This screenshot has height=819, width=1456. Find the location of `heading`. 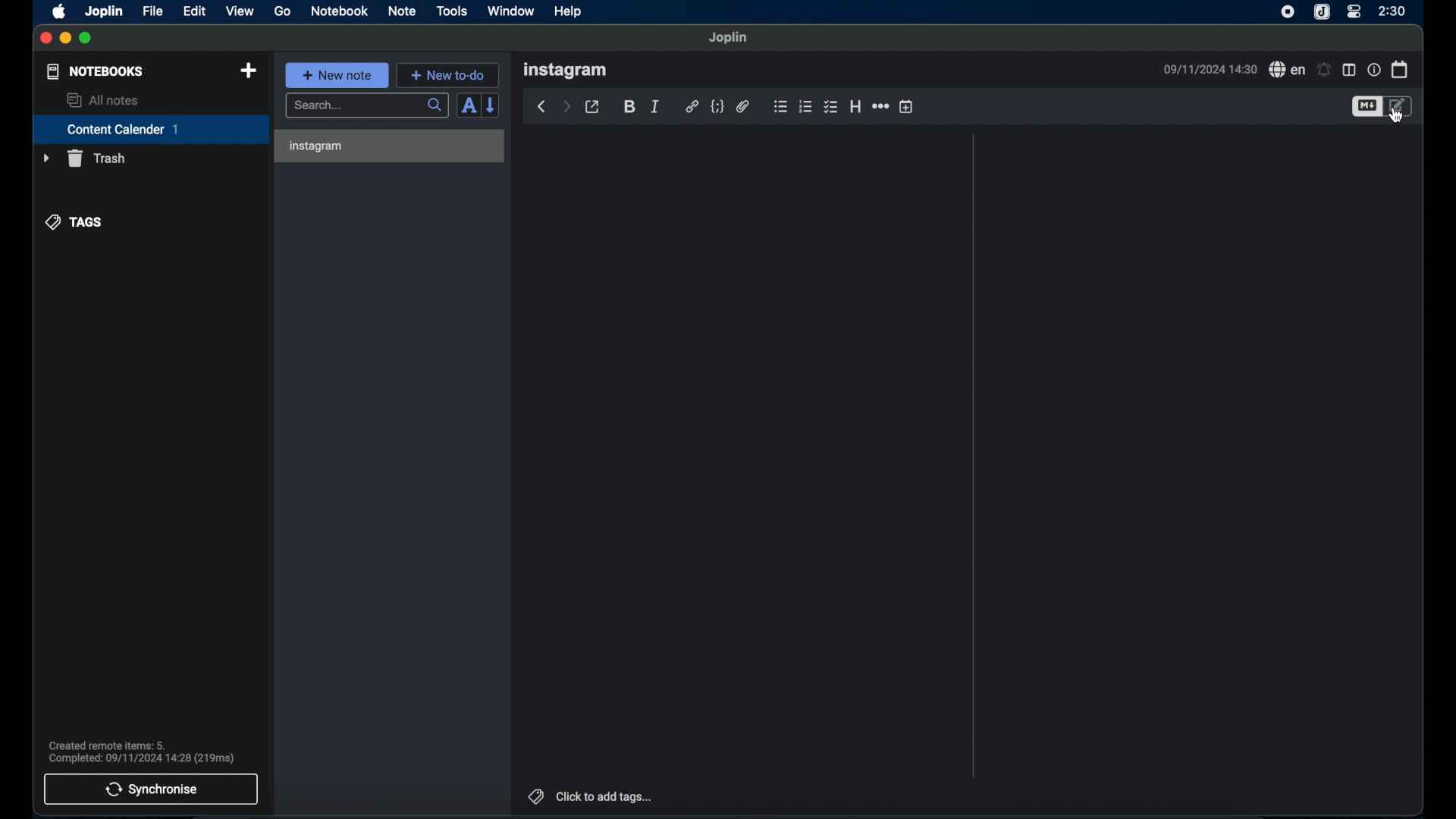

heading is located at coordinates (855, 106).